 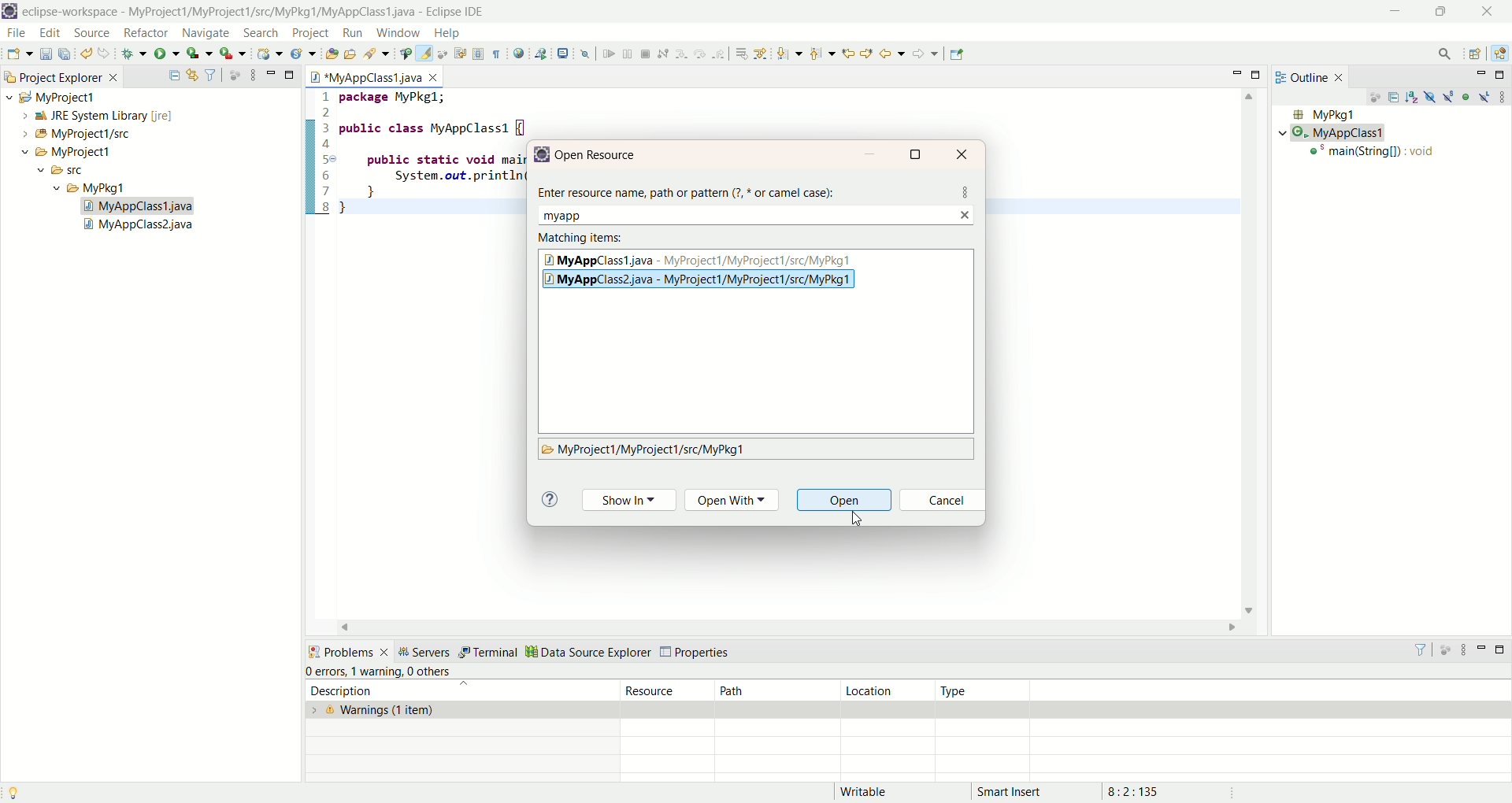 What do you see at coordinates (232, 55) in the screenshot?
I see `run last tool` at bounding box center [232, 55].